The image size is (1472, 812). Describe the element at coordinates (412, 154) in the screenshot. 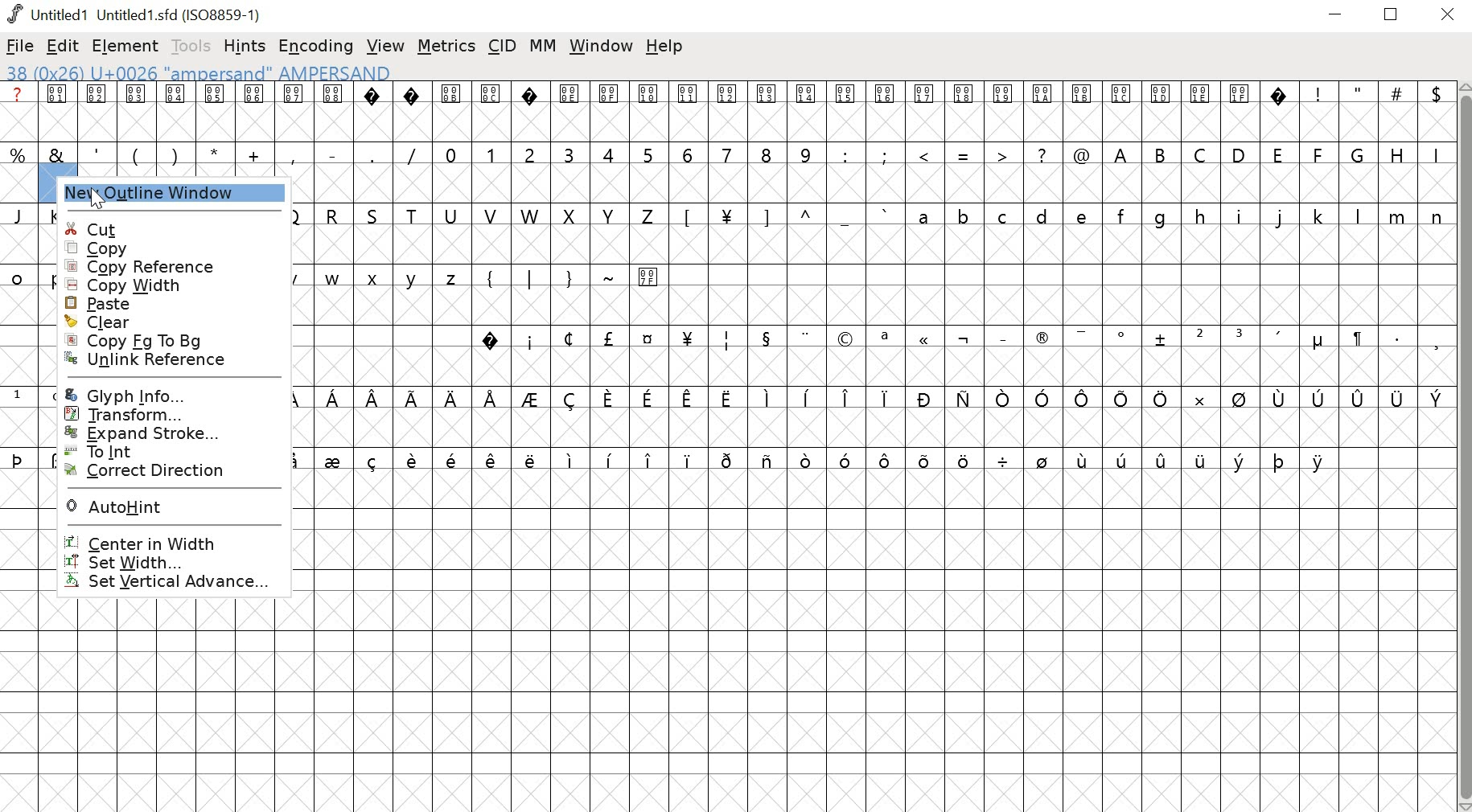

I see `/` at that location.